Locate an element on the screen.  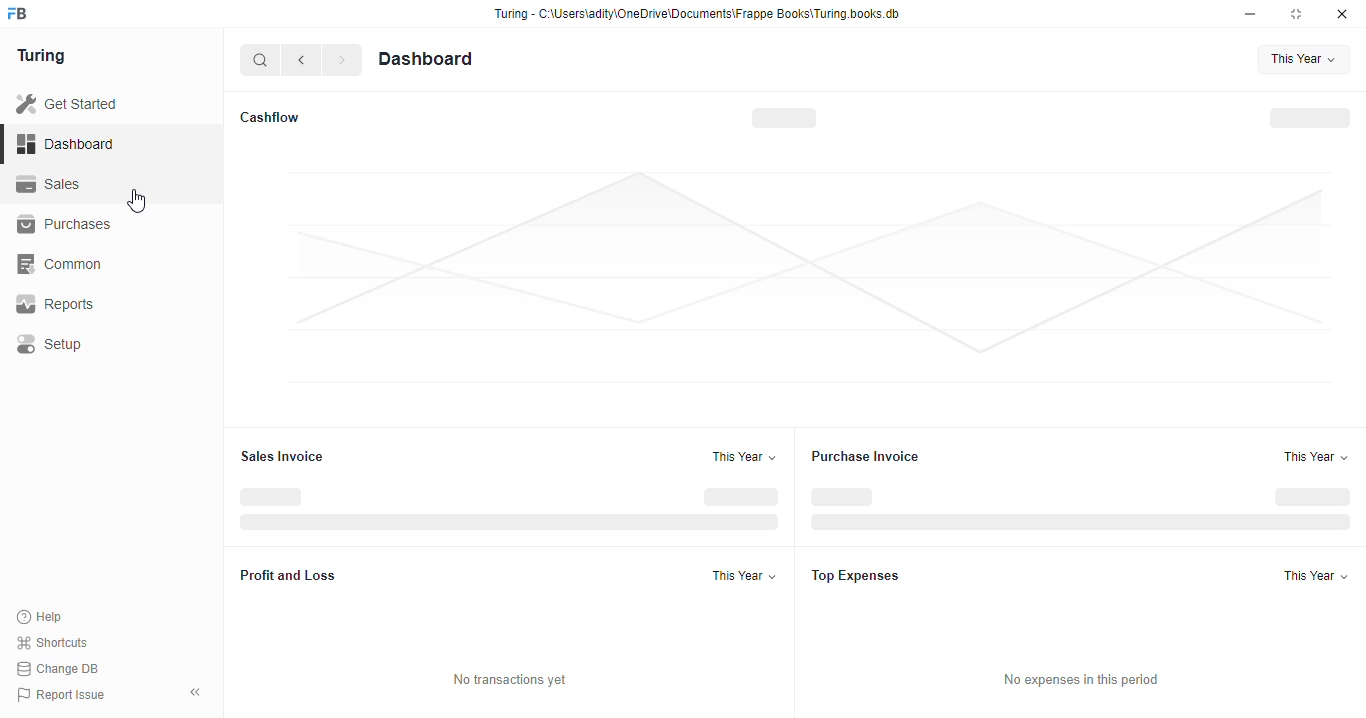
forward is located at coordinates (344, 62).